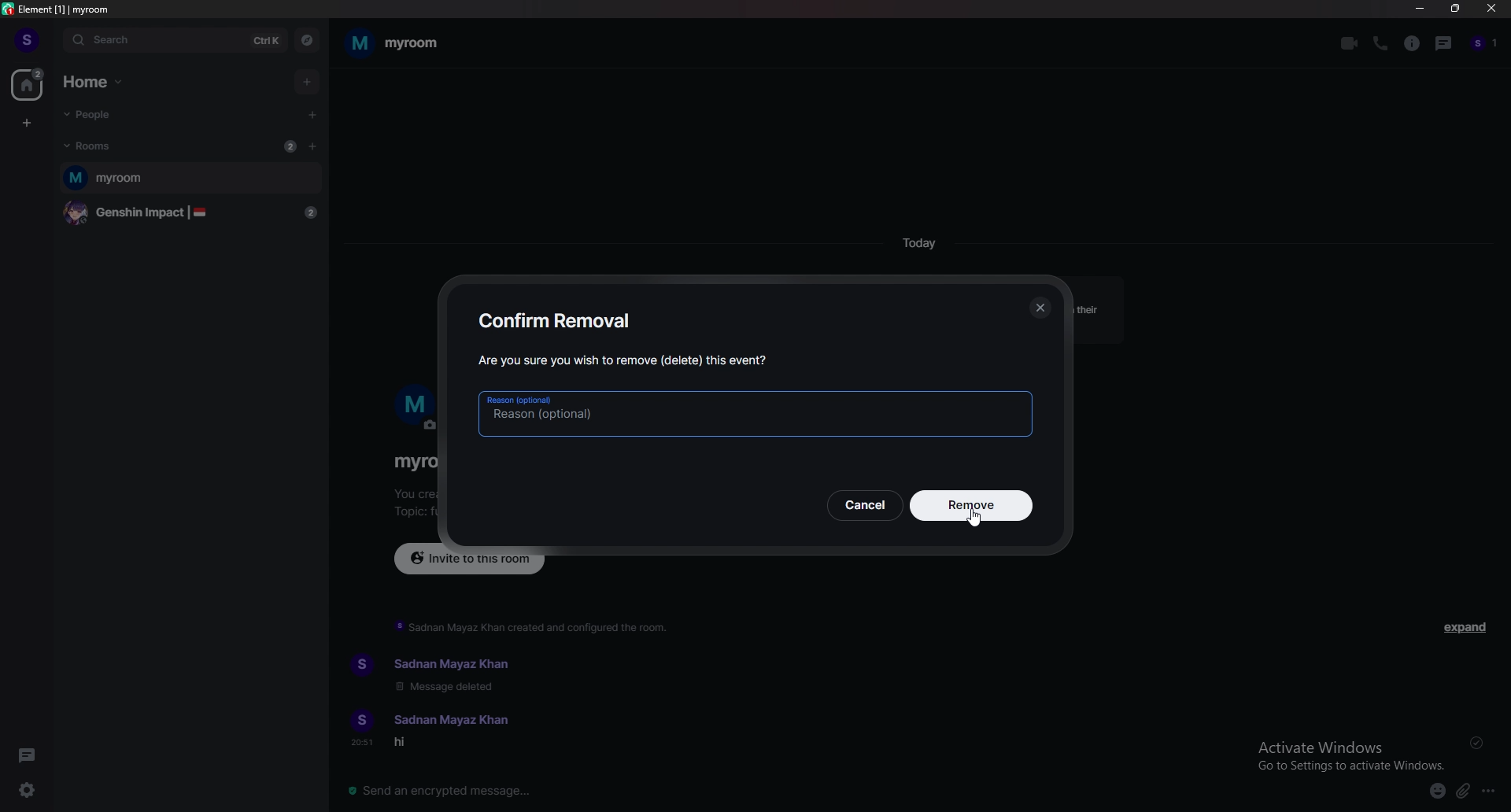 The height and width of the screenshot is (812, 1511). Describe the element at coordinates (918, 243) in the screenshot. I see `today` at that location.